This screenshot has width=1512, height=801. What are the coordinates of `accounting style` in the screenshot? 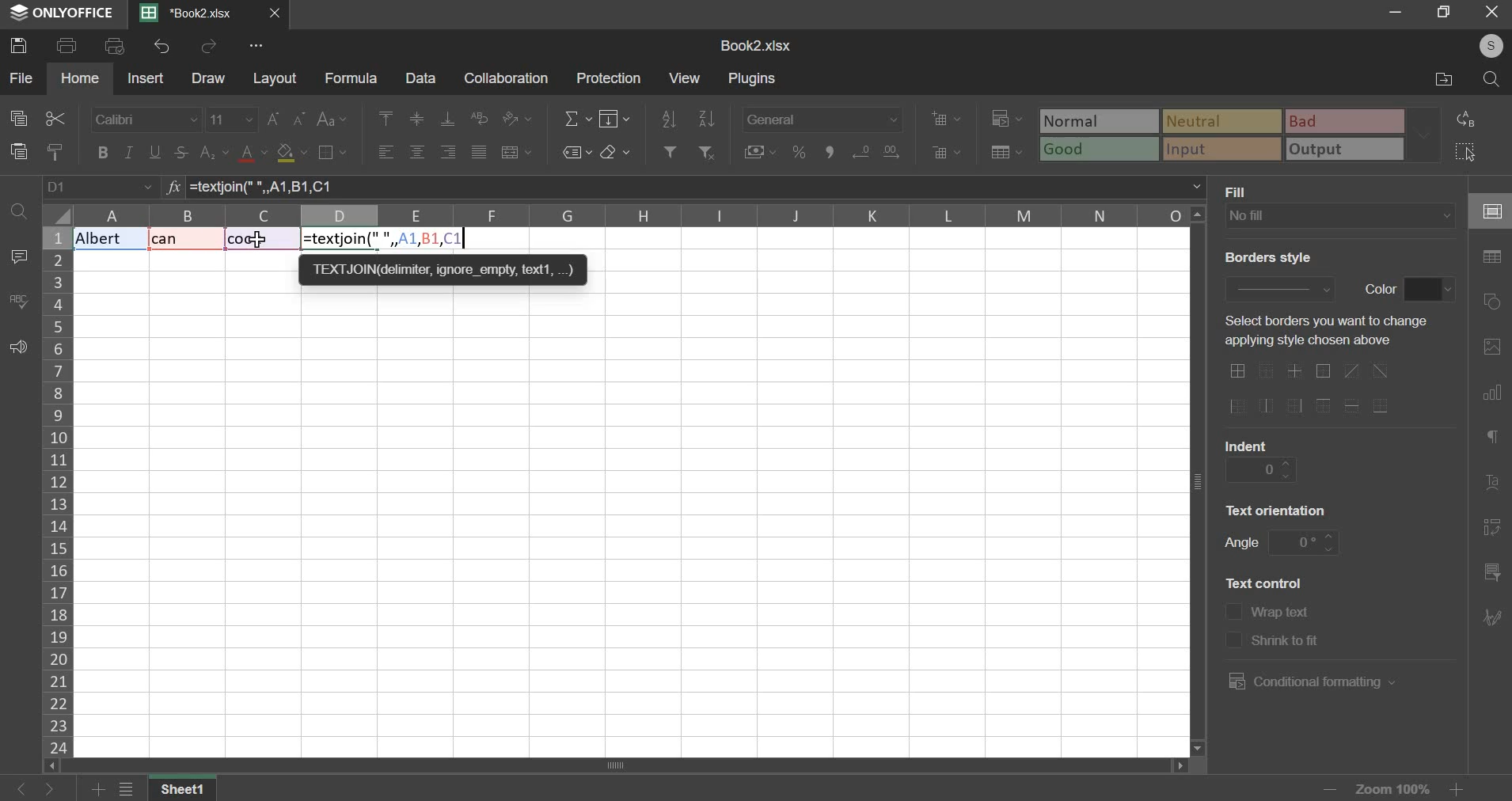 It's located at (761, 151).